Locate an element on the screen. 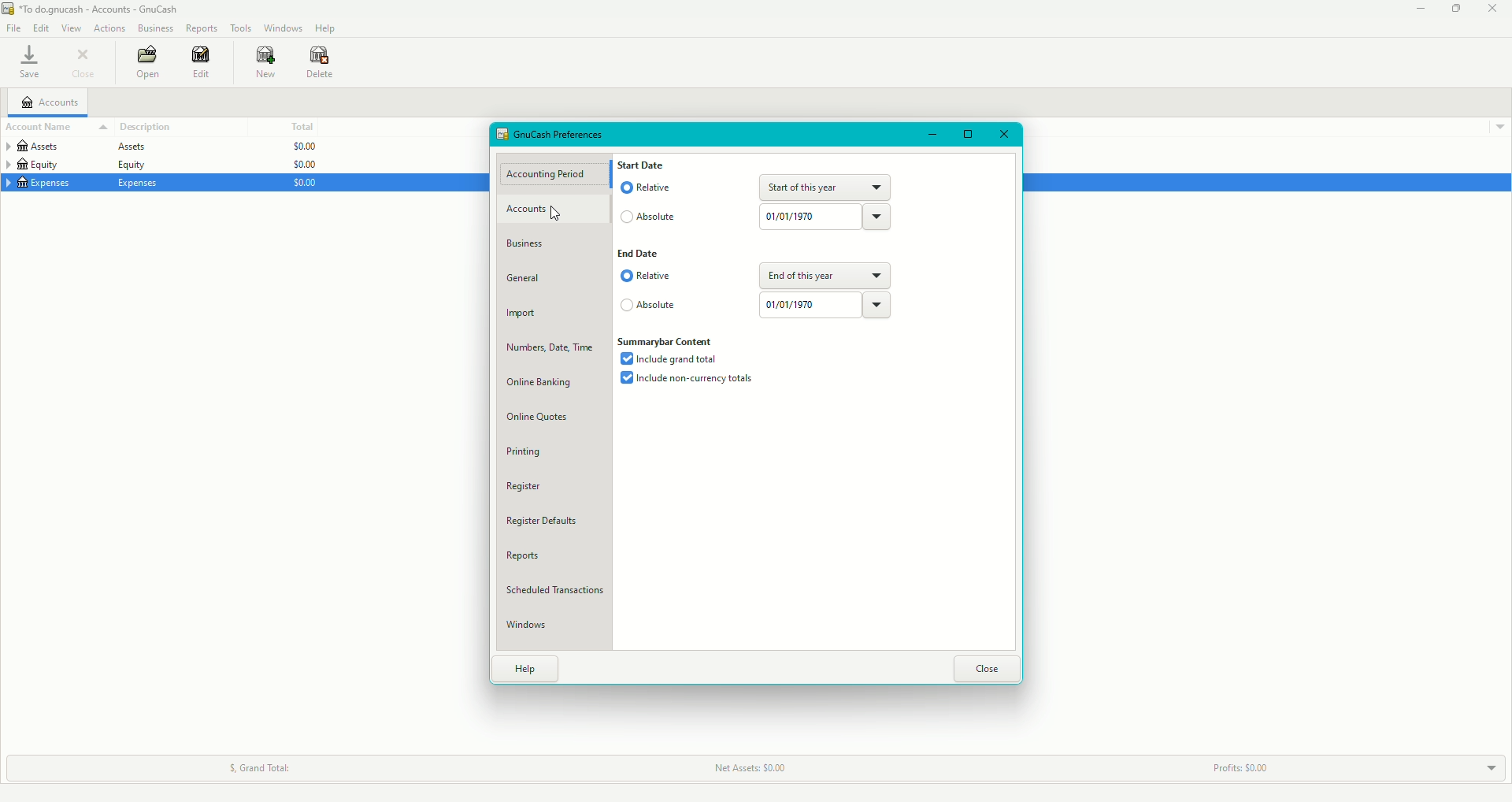 This screenshot has width=1512, height=802. End Date is located at coordinates (639, 254).